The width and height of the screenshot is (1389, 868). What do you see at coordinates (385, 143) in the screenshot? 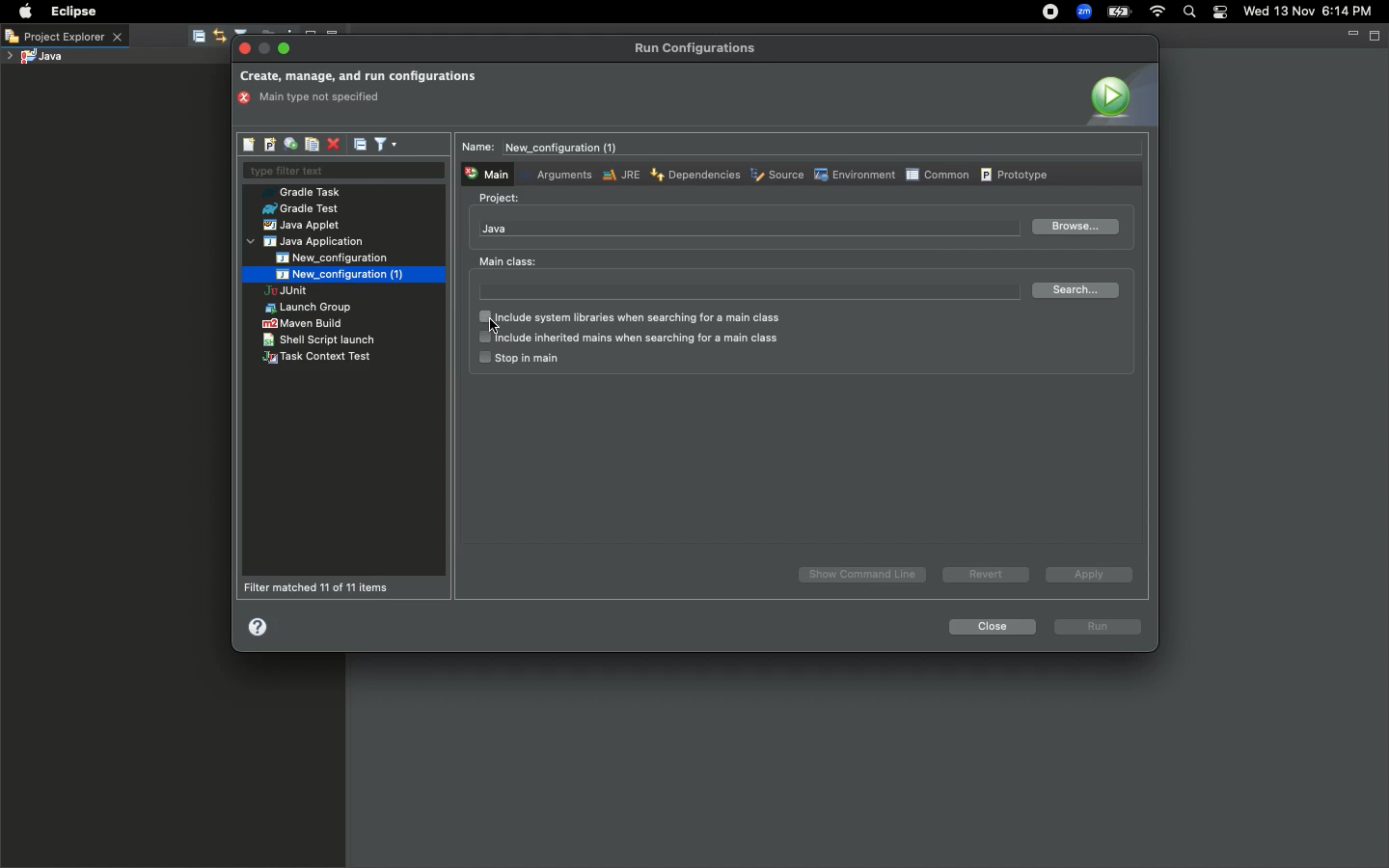
I see `Filter launch configurations` at bounding box center [385, 143].